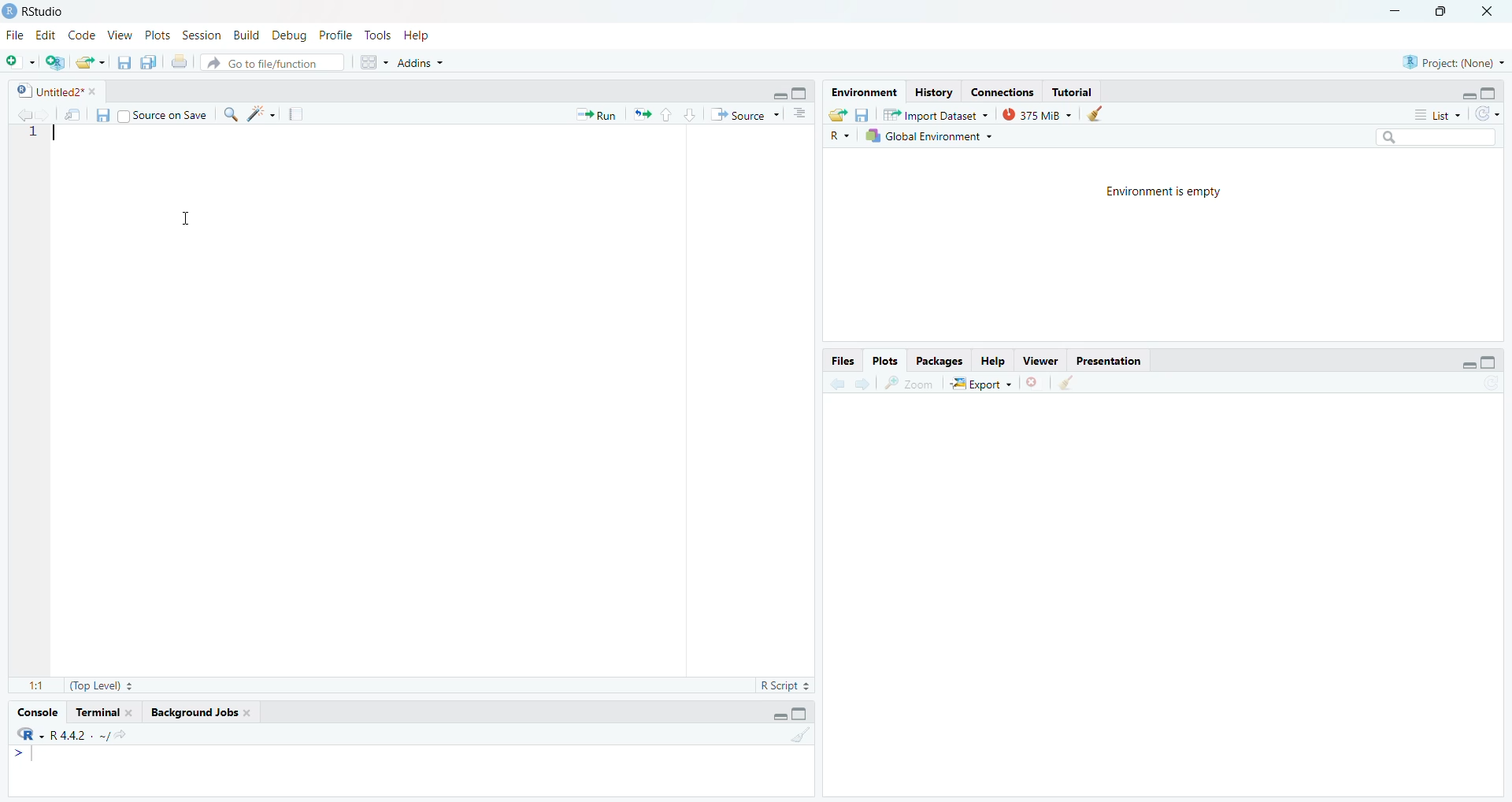  I want to click on Help, so click(991, 360).